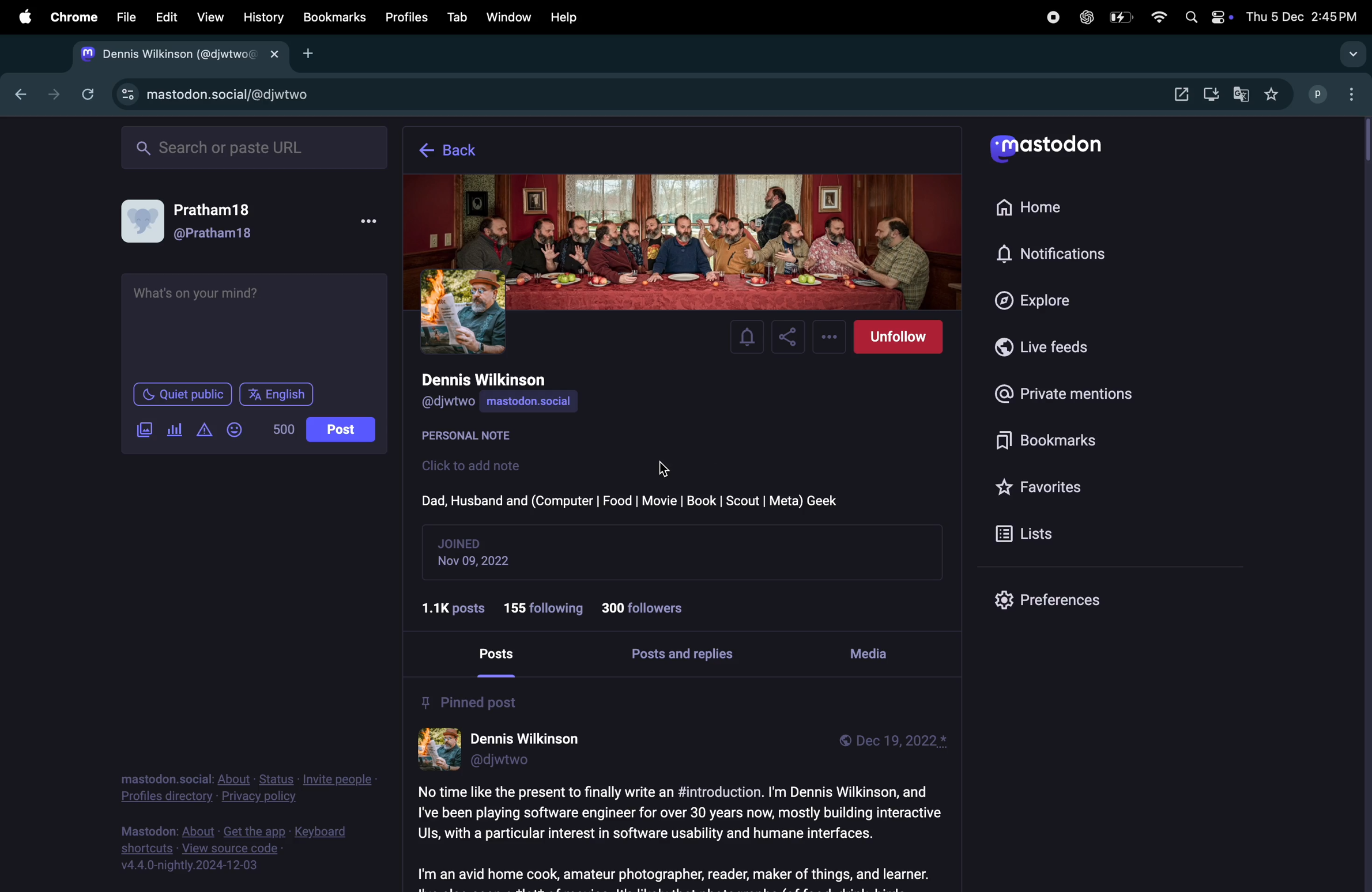  Describe the element at coordinates (546, 402) in the screenshot. I see `mastodon social` at that location.